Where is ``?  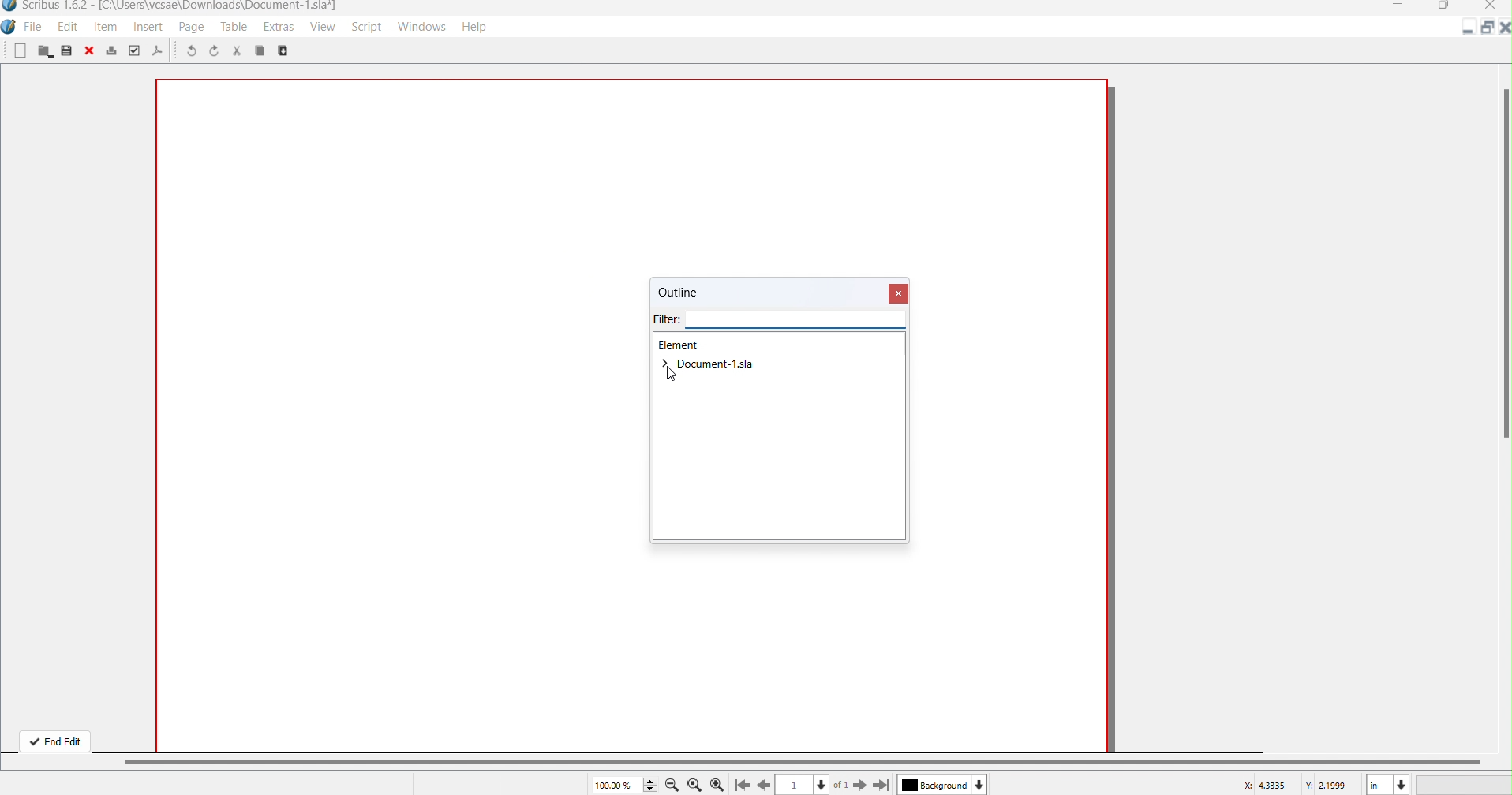  is located at coordinates (44, 51).